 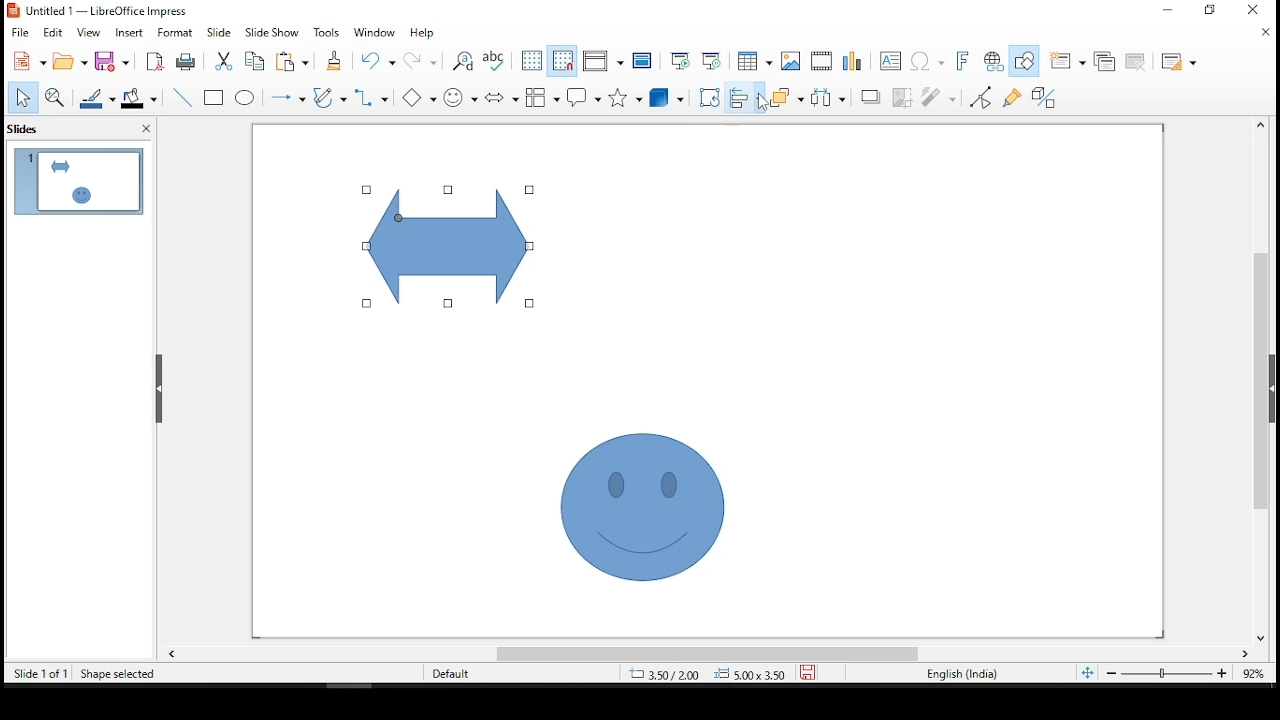 I want to click on restore, so click(x=1167, y=11).